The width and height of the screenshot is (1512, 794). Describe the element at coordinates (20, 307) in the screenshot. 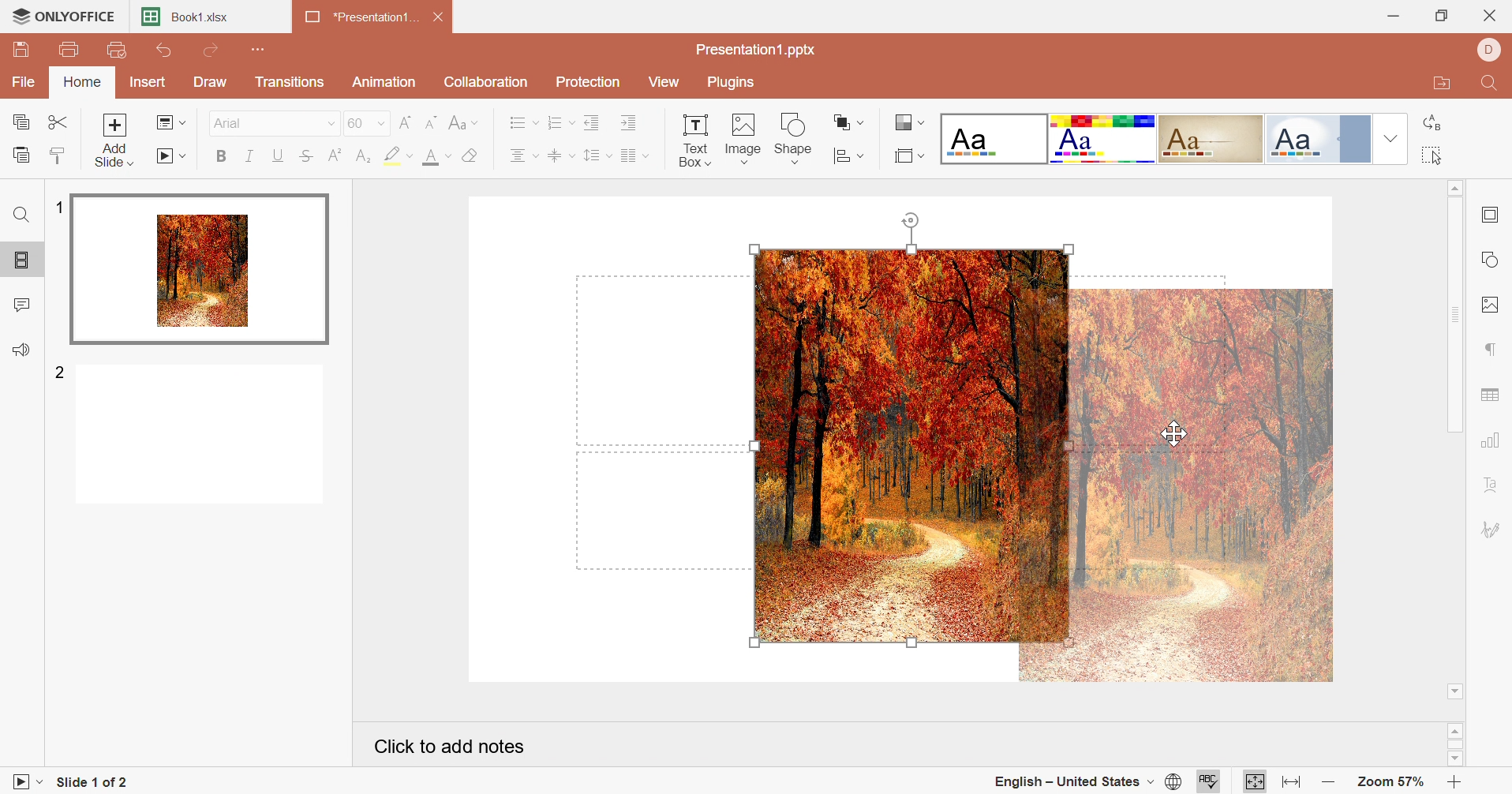

I see `Comments` at that location.